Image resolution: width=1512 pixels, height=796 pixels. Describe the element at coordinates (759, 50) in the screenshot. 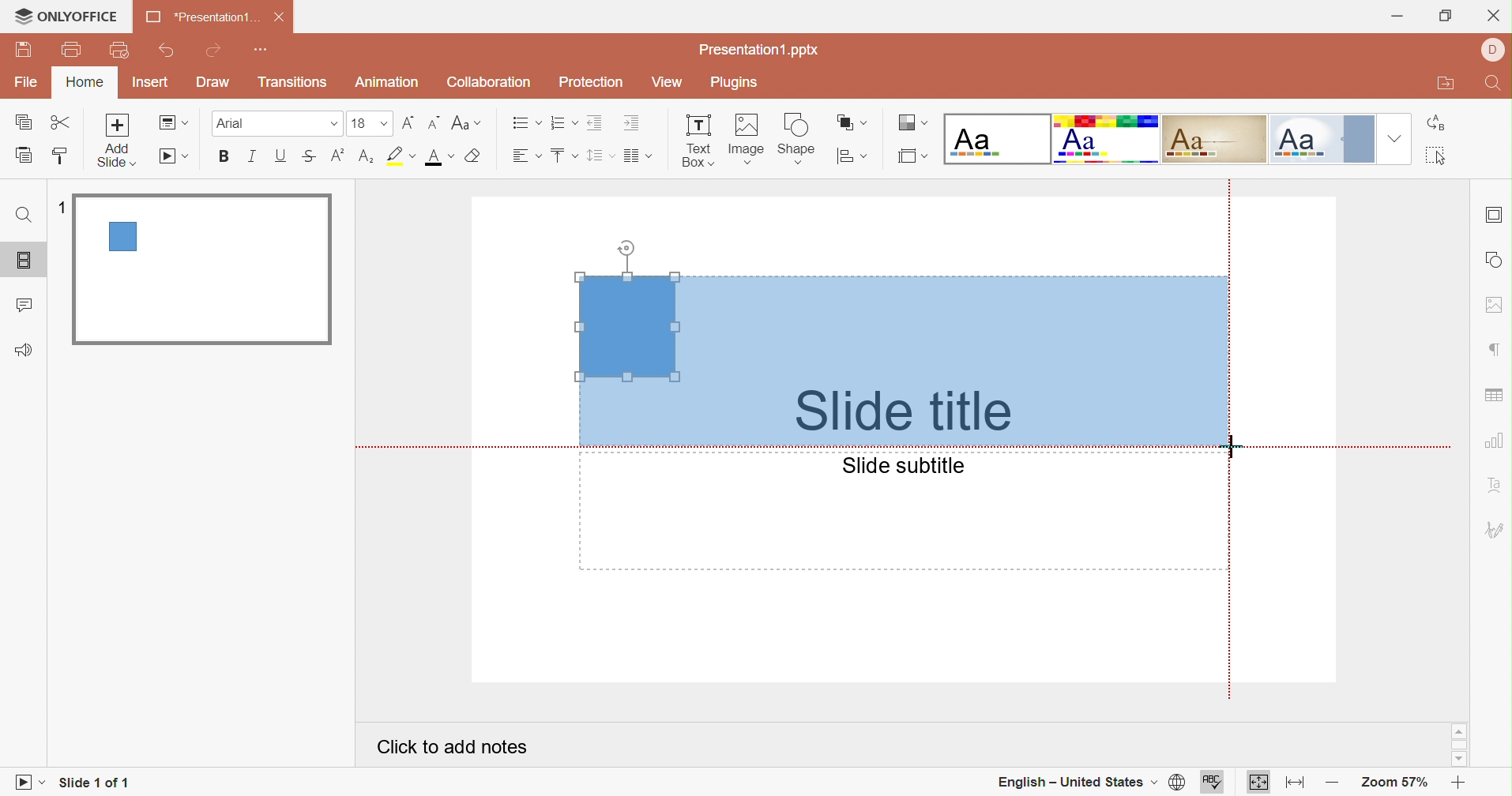

I see `Presentation1.pptx` at that location.